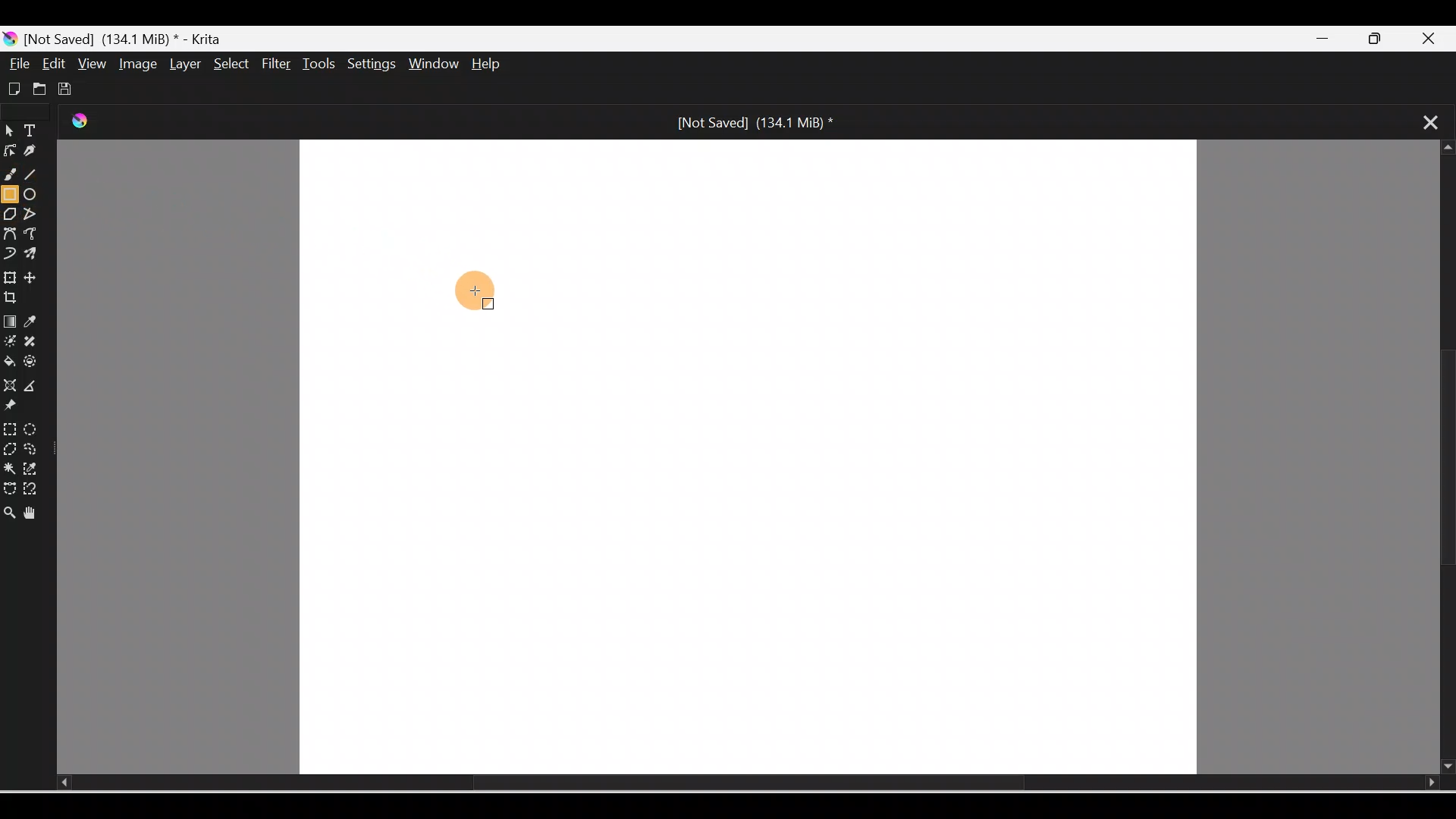 This screenshot has width=1456, height=819. Describe the element at coordinates (36, 322) in the screenshot. I see `Sample a color from image/current layer` at that location.